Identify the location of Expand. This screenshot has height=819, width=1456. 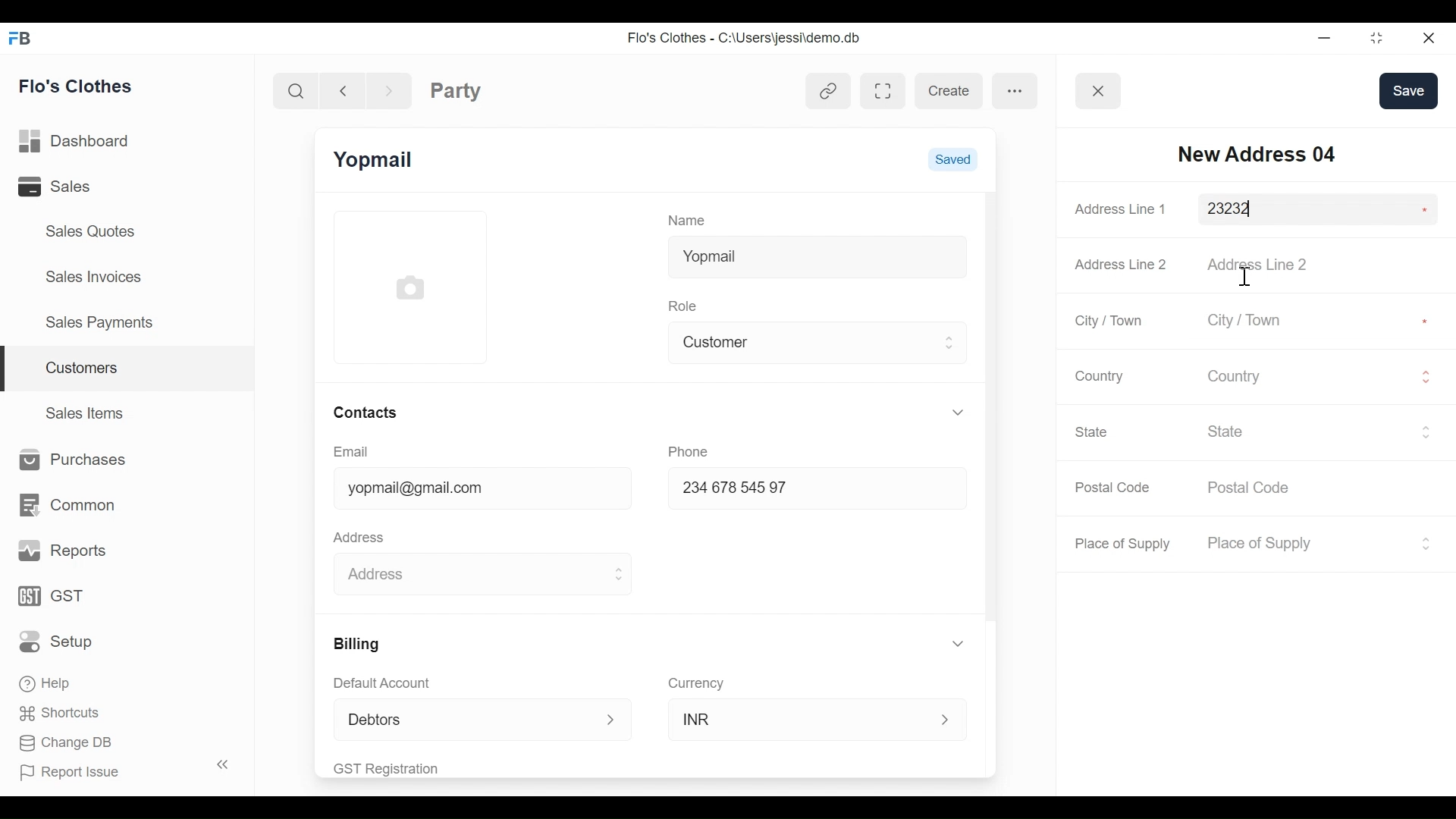
(961, 644).